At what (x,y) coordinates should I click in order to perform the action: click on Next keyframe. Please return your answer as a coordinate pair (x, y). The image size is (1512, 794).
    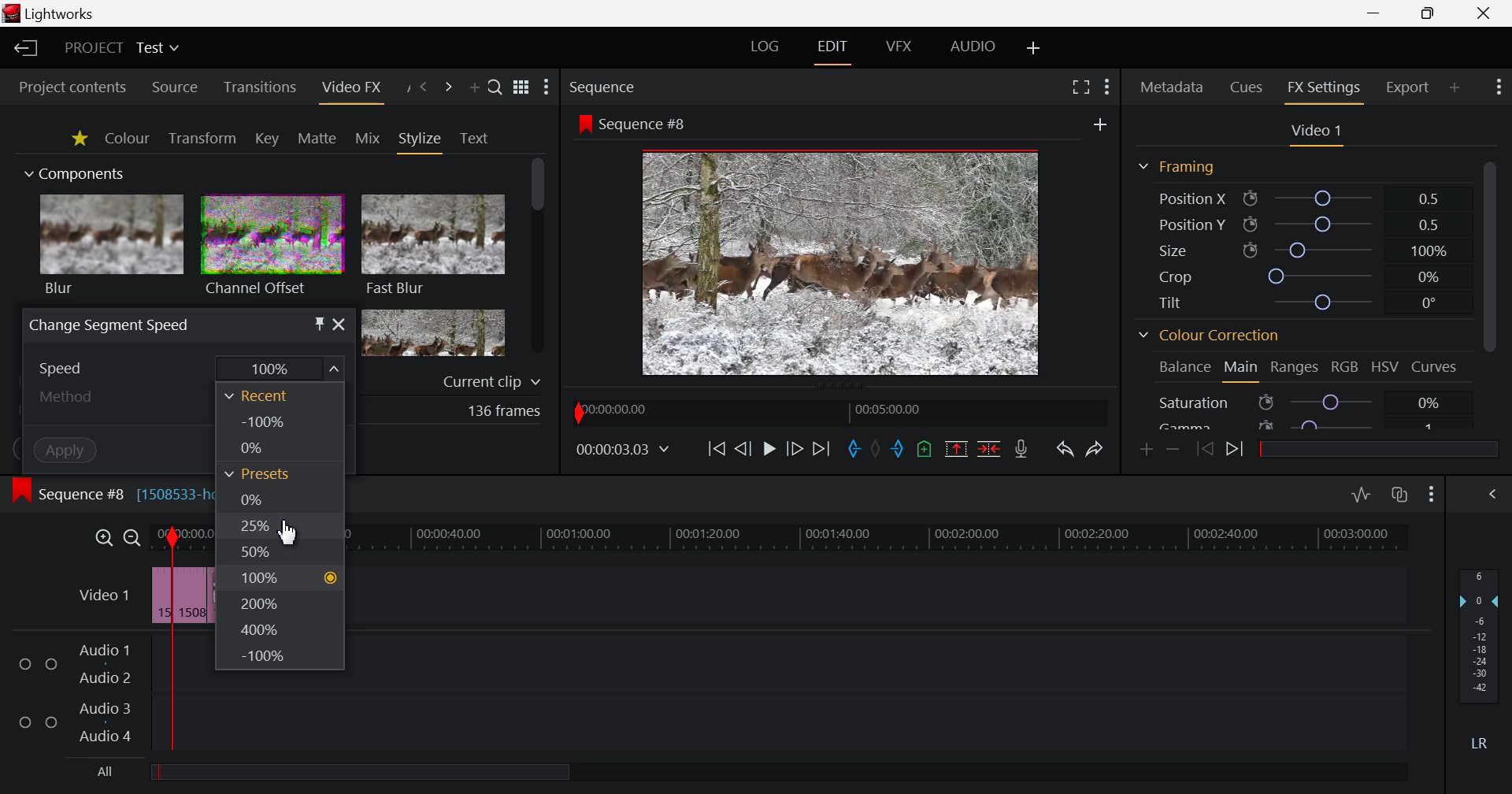
    Looking at the image, I should click on (1236, 451).